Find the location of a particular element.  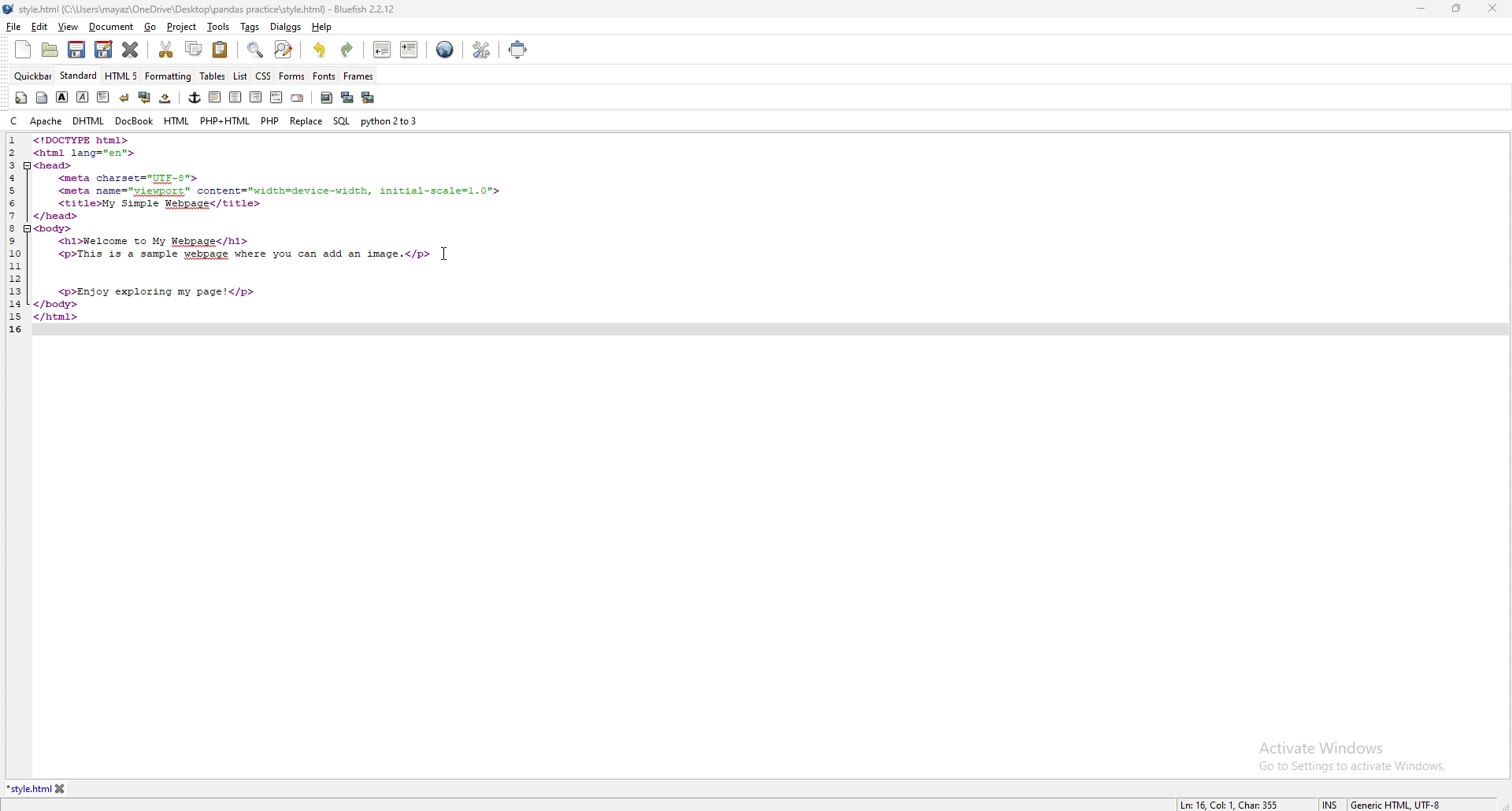

quickbar is located at coordinates (32, 76).